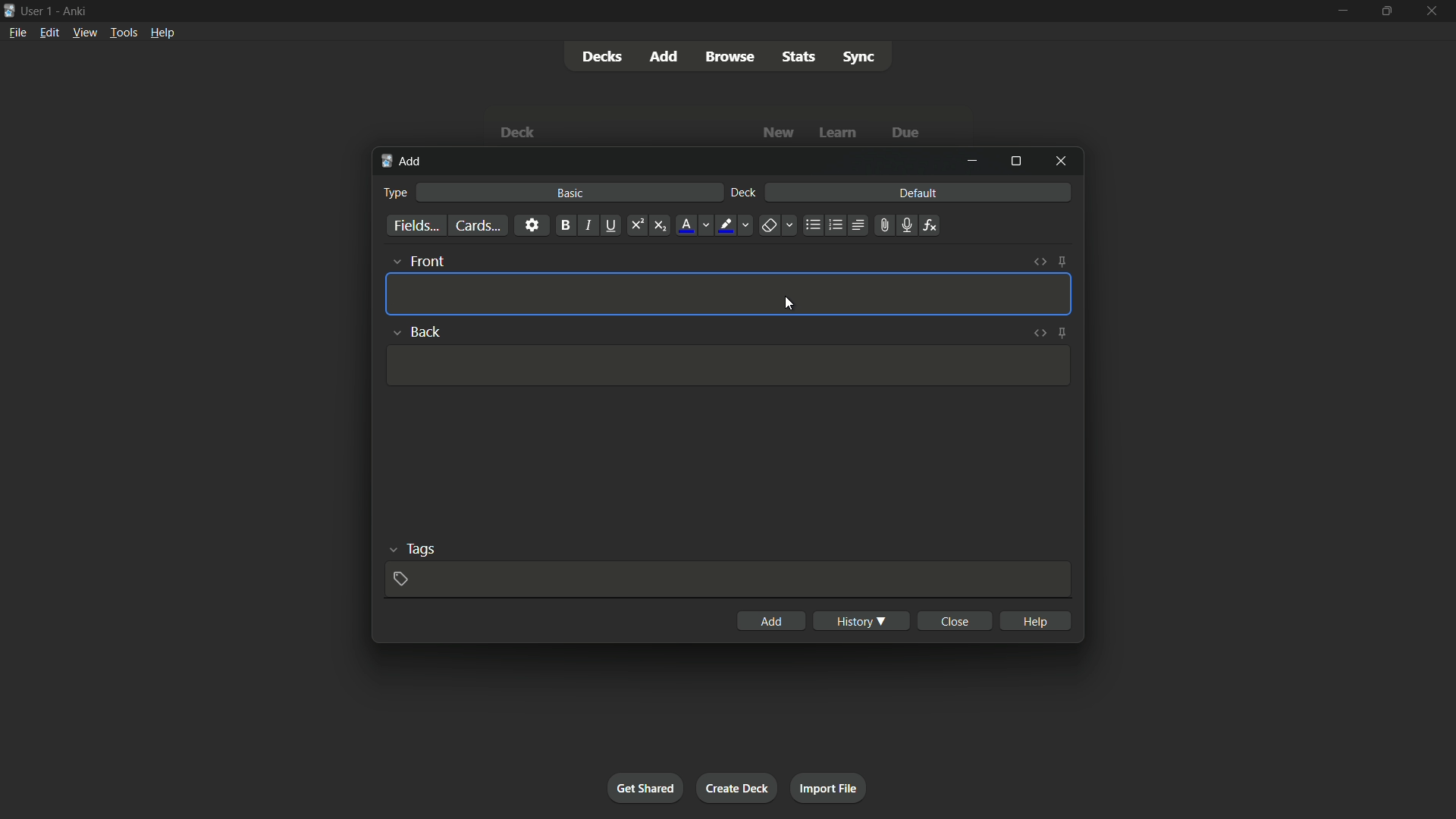  I want to click on new, so click(780, 132).